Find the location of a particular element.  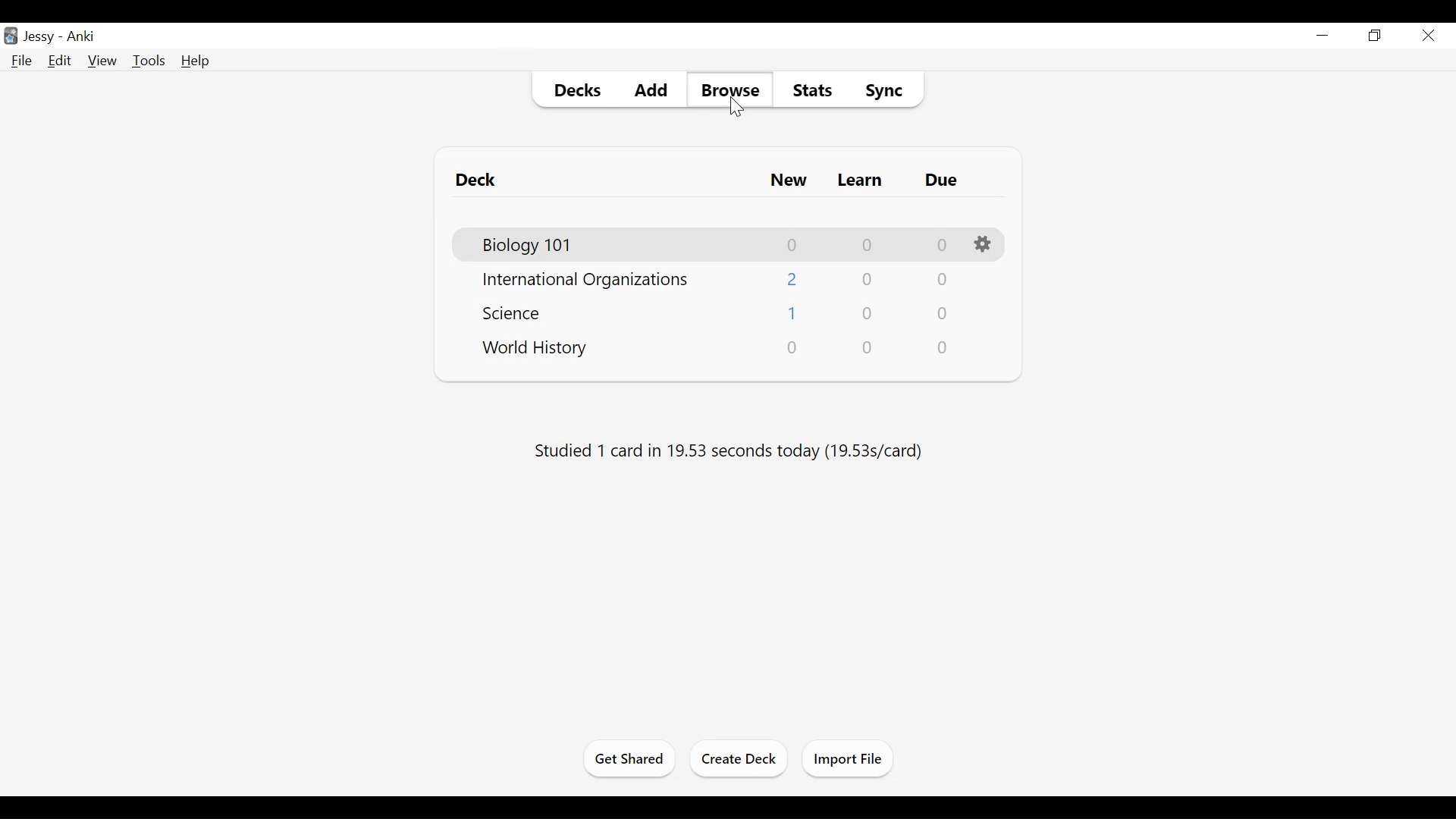

Due Card Count is located at coordinates (941, 313).